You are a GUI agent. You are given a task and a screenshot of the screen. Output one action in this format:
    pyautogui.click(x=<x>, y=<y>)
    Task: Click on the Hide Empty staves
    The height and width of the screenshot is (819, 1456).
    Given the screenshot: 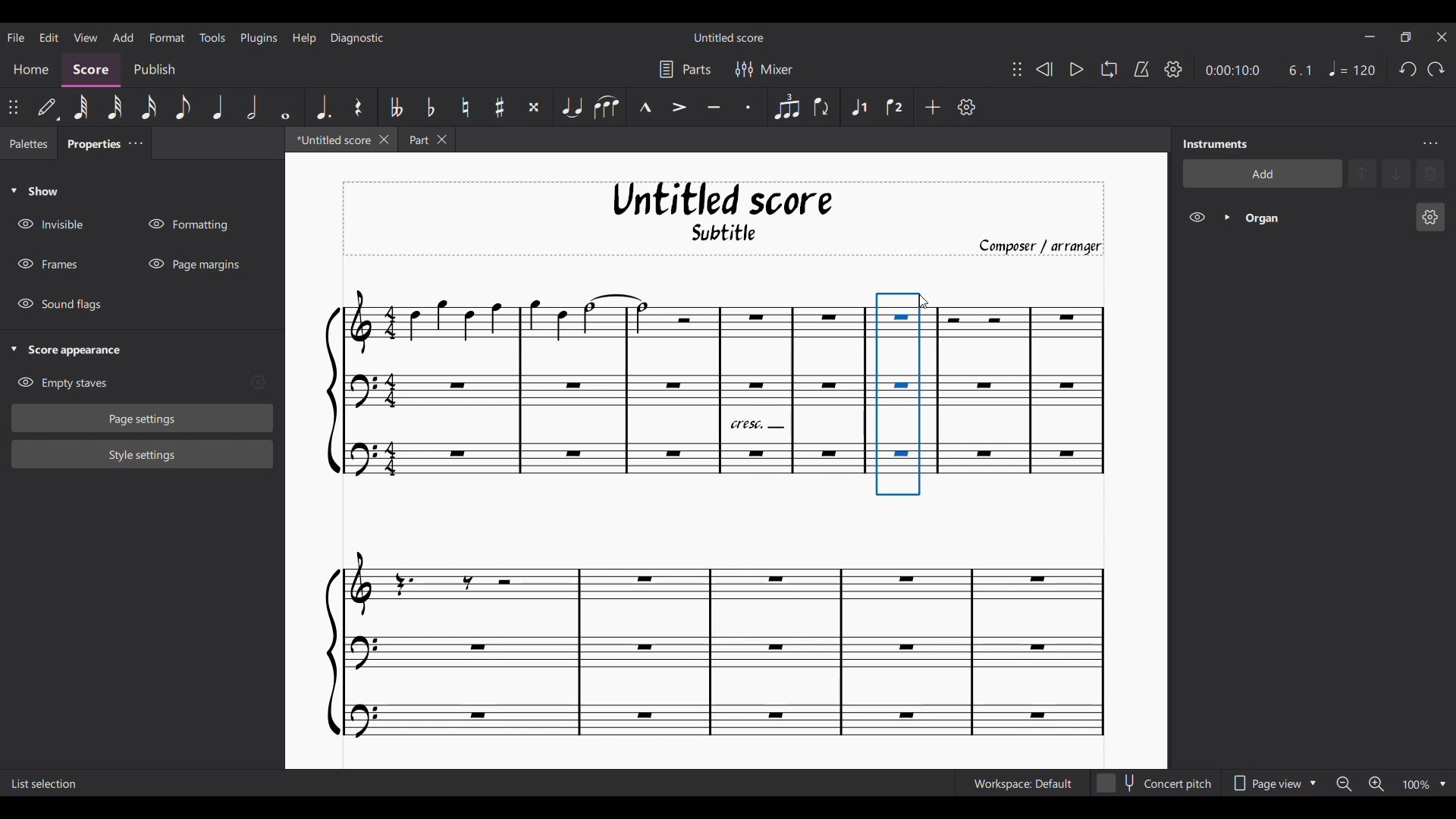 What is the action you would take?
    pyautogui.click(x=62, y=383)
    